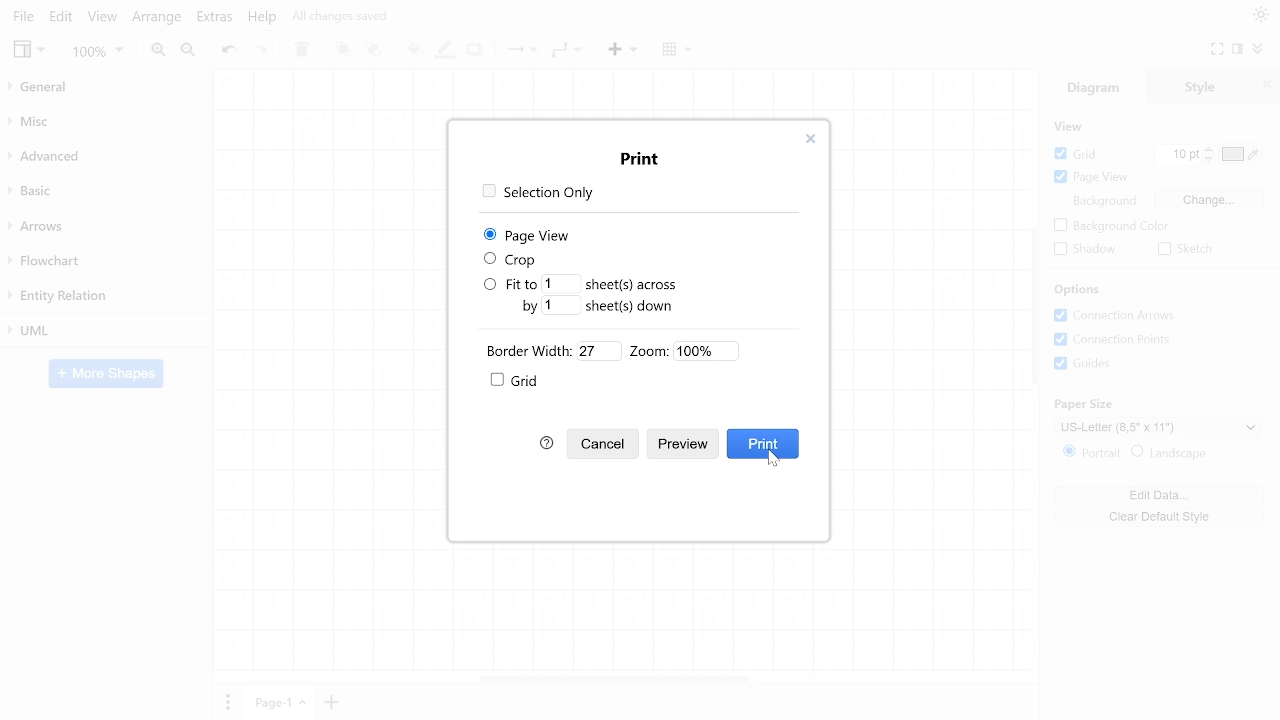 The height and width of the screenshot is (720, 1280). I want to click on CLose, so click(1267, 85).